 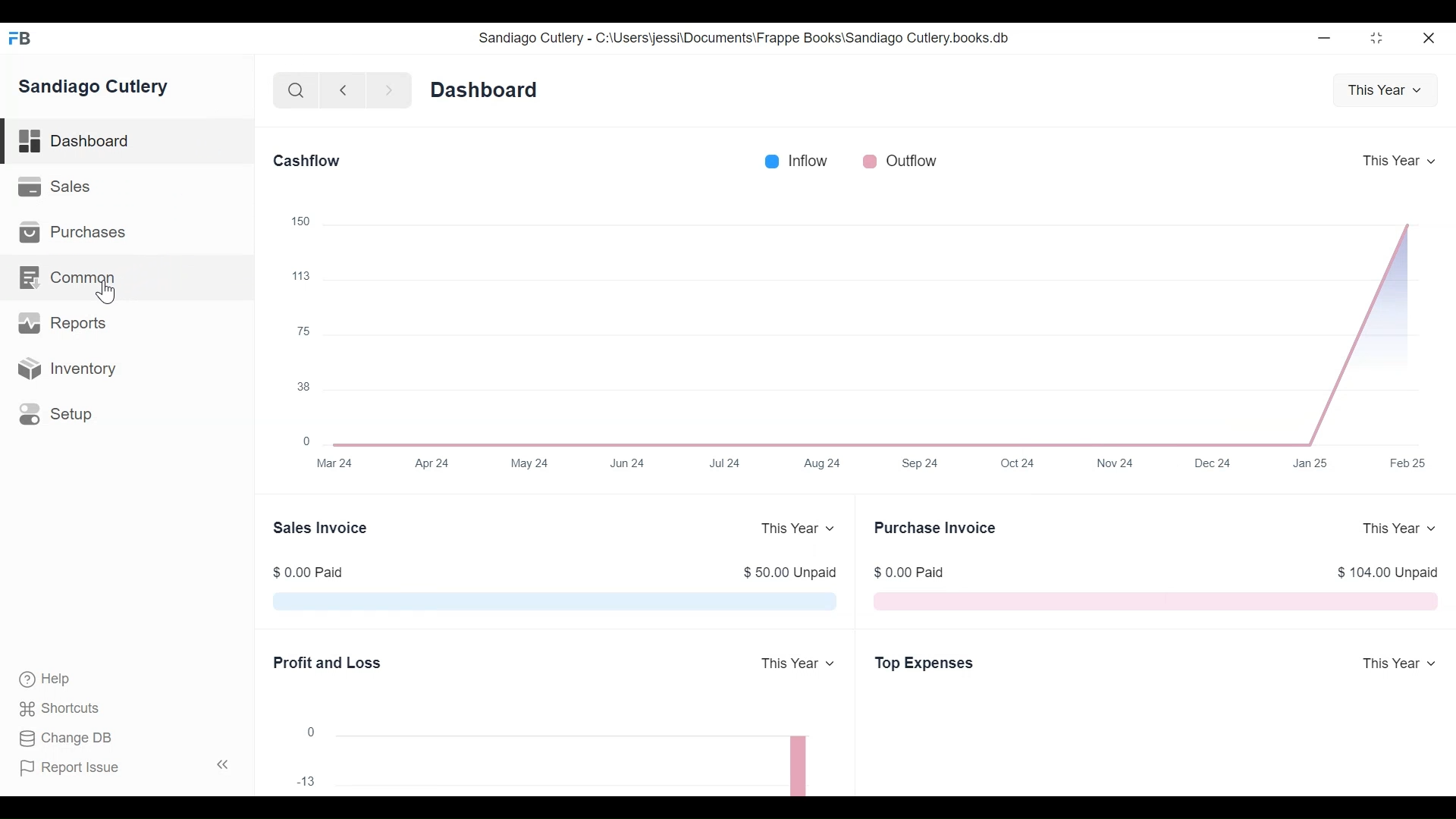 What do you see at coordinates (912, 160) in the screenshot?
I see `Outflow` at bounding box center [912, 160].